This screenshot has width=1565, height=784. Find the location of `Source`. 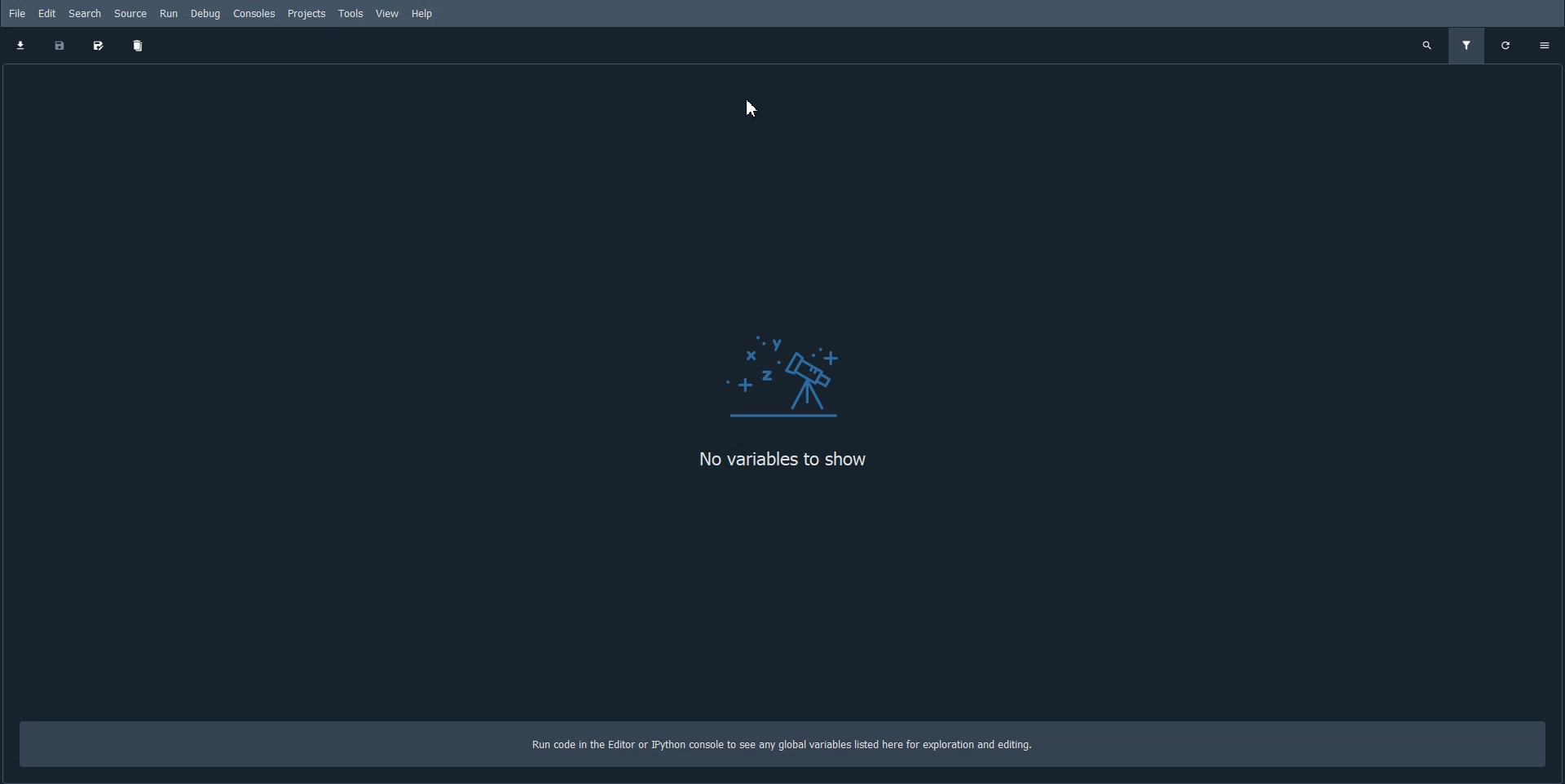

Source is located at coordinates (130, 14).